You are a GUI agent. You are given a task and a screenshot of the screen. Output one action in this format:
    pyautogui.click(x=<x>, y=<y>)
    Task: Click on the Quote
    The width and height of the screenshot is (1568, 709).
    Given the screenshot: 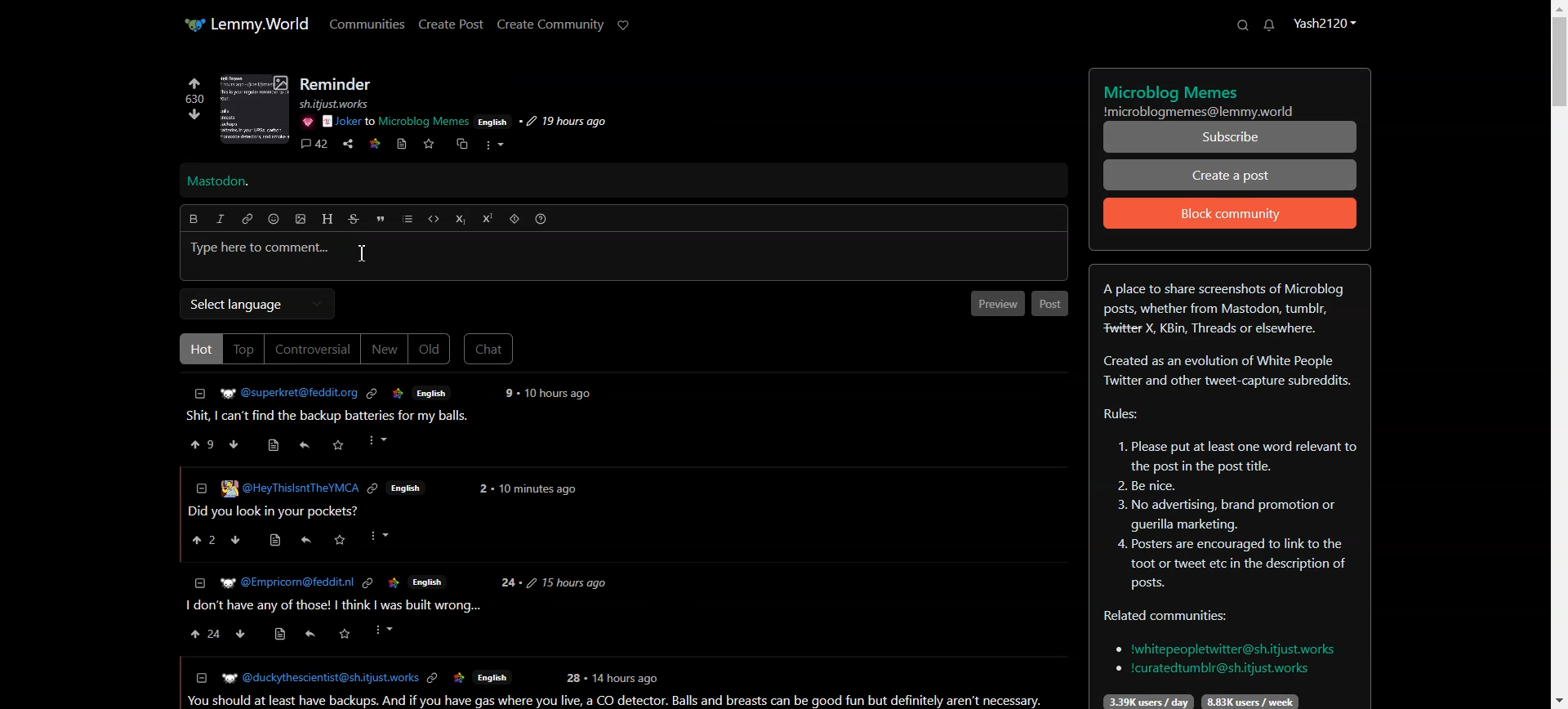 What is the action you would take?
    pyautogui.click(x=380, y=219)
    